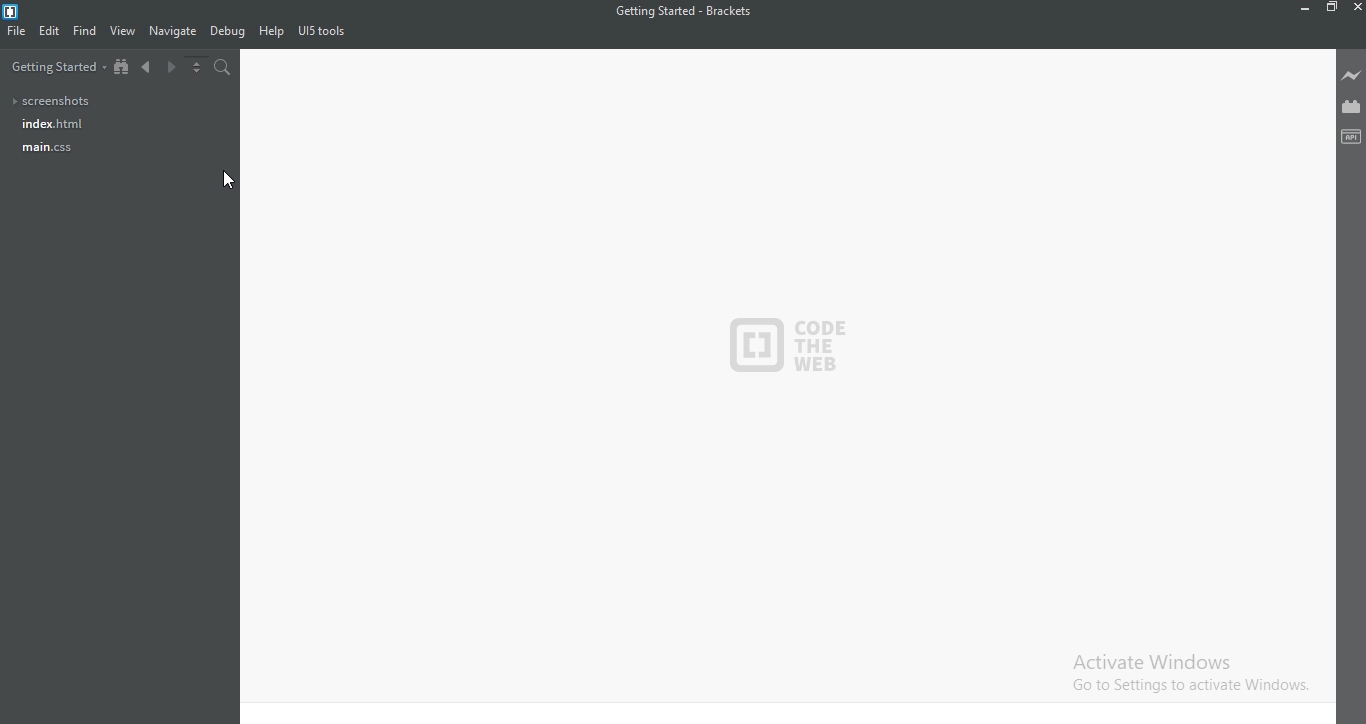 This screenshot has width=1366, height=724. Describe the element at coordinates (1305, 8) in the screenshot. I see `Minimise` at that location.